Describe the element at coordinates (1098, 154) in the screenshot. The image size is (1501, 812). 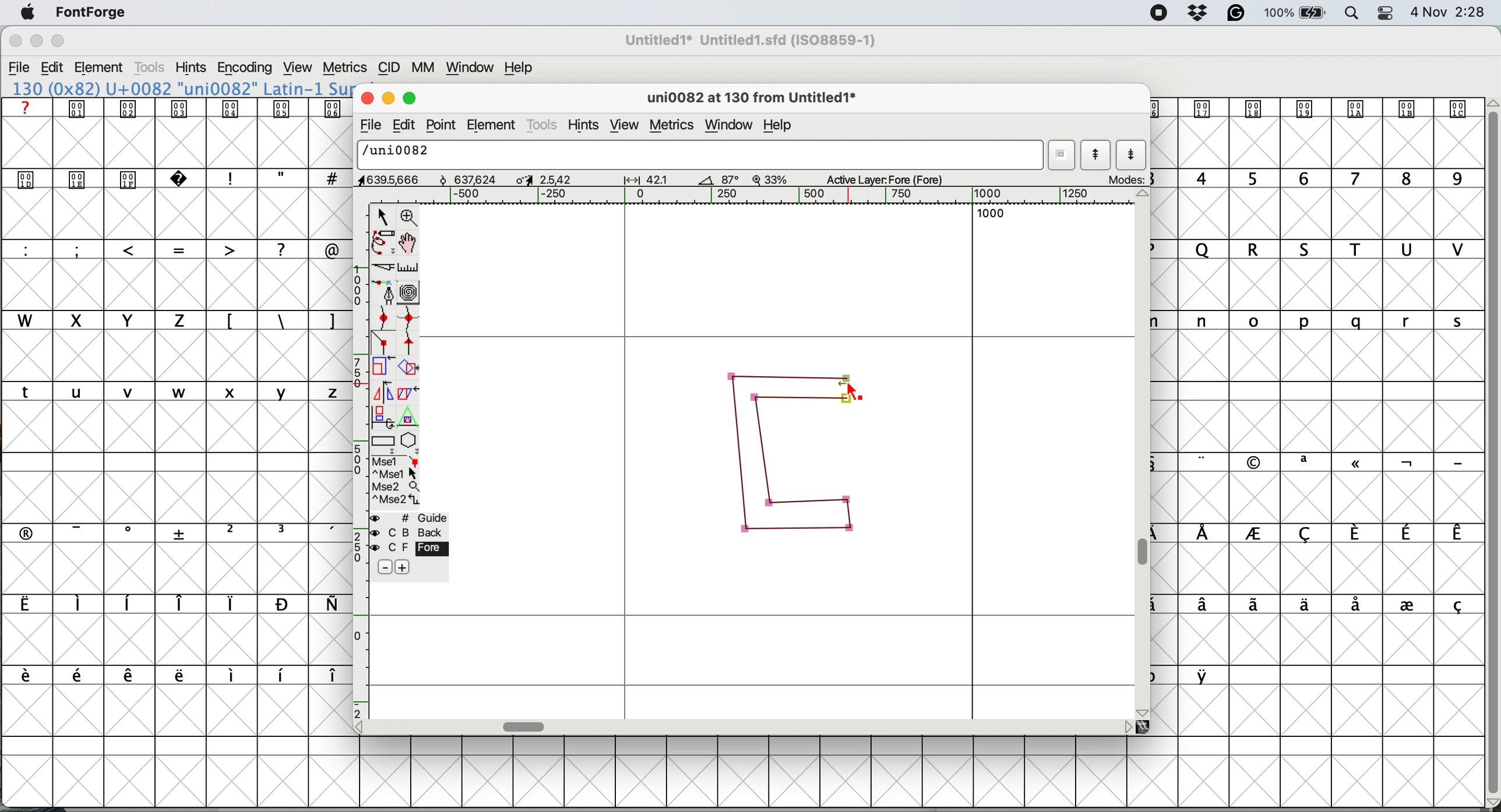
I see `show previous letter` at that location.